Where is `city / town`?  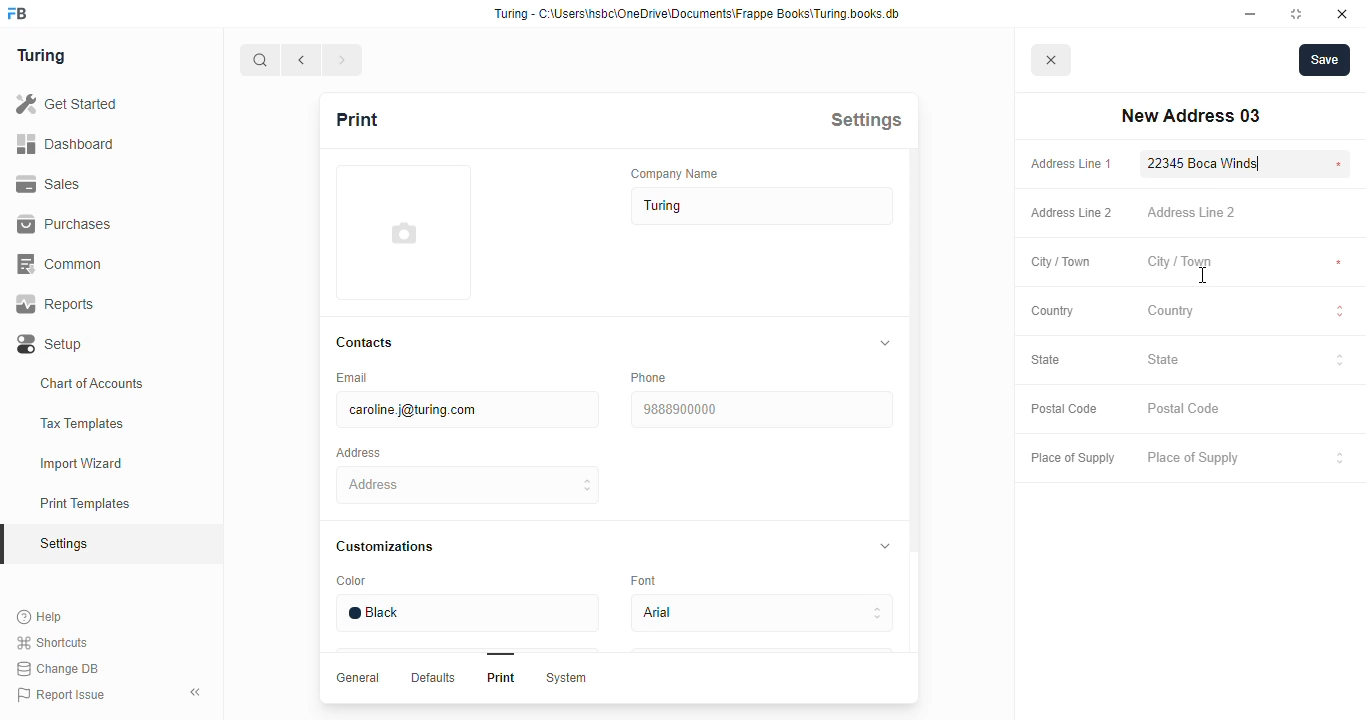 city / town is located at coordinates (1062, 263).